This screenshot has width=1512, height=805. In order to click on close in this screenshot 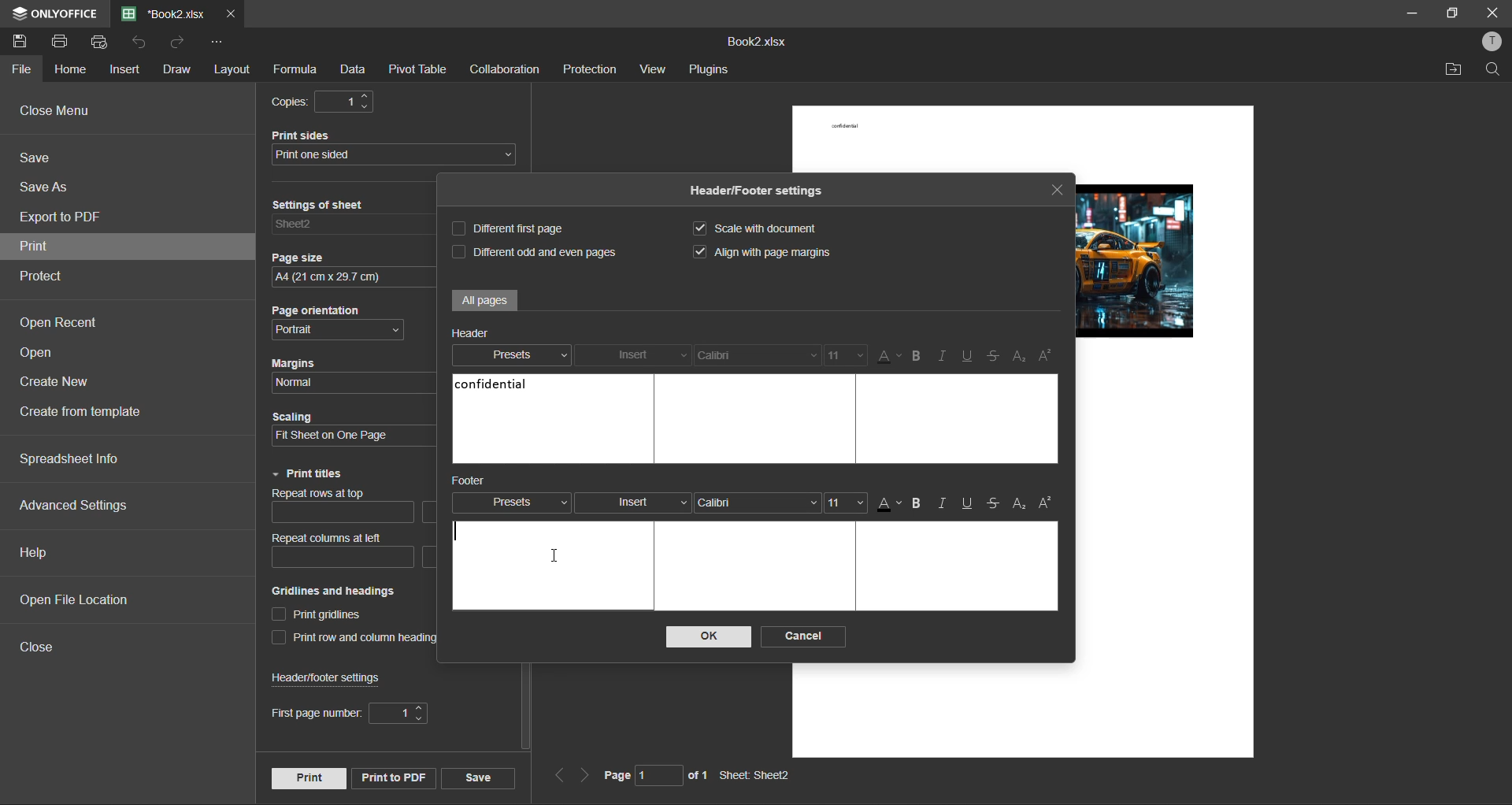, I will do `click(1492, 13)`.